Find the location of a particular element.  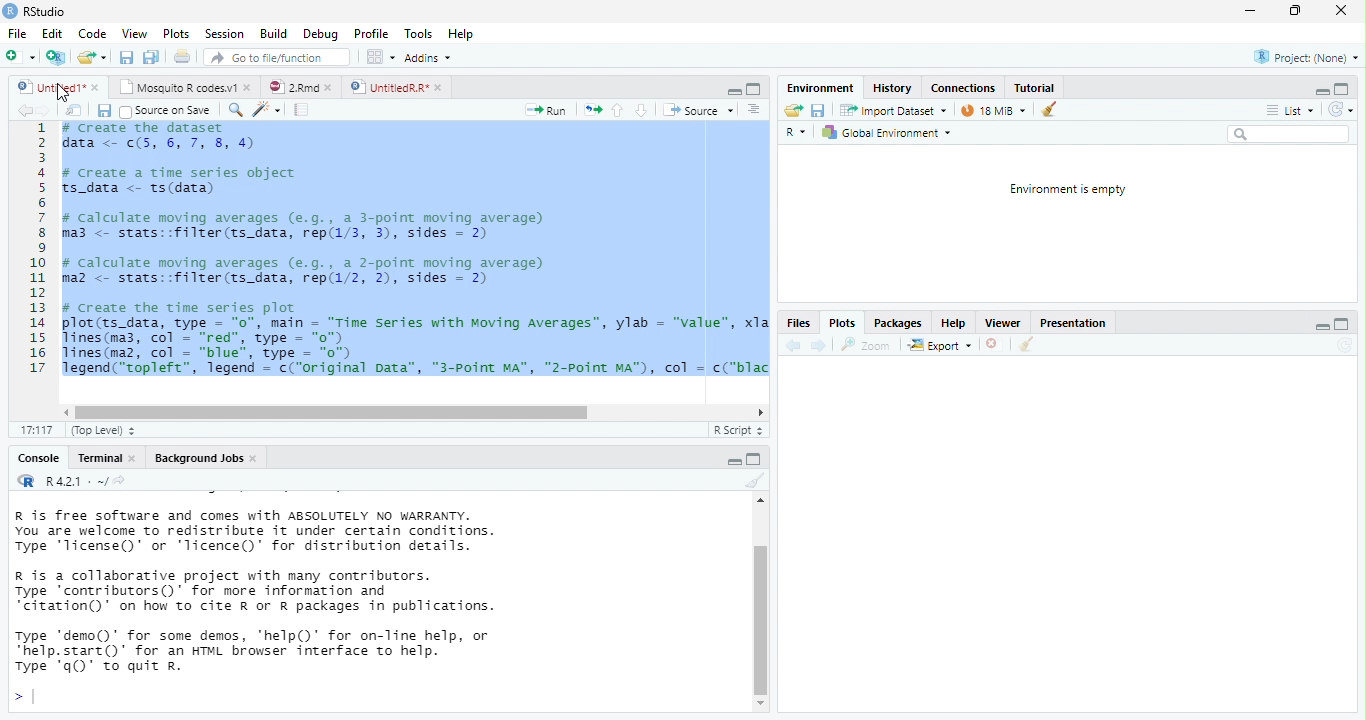

print current file is located at coordinates (151, 57).